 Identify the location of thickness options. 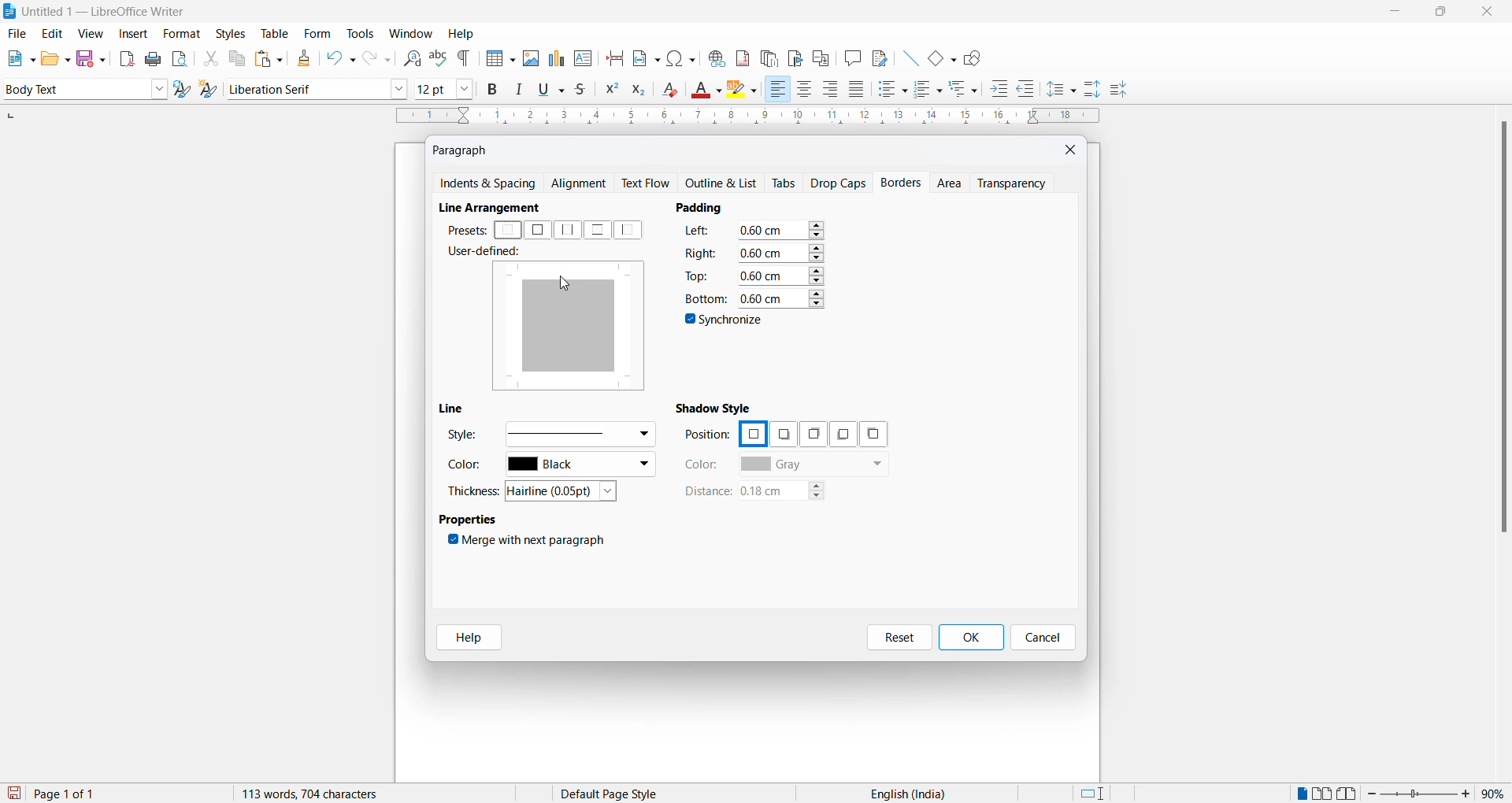
(566, 492).